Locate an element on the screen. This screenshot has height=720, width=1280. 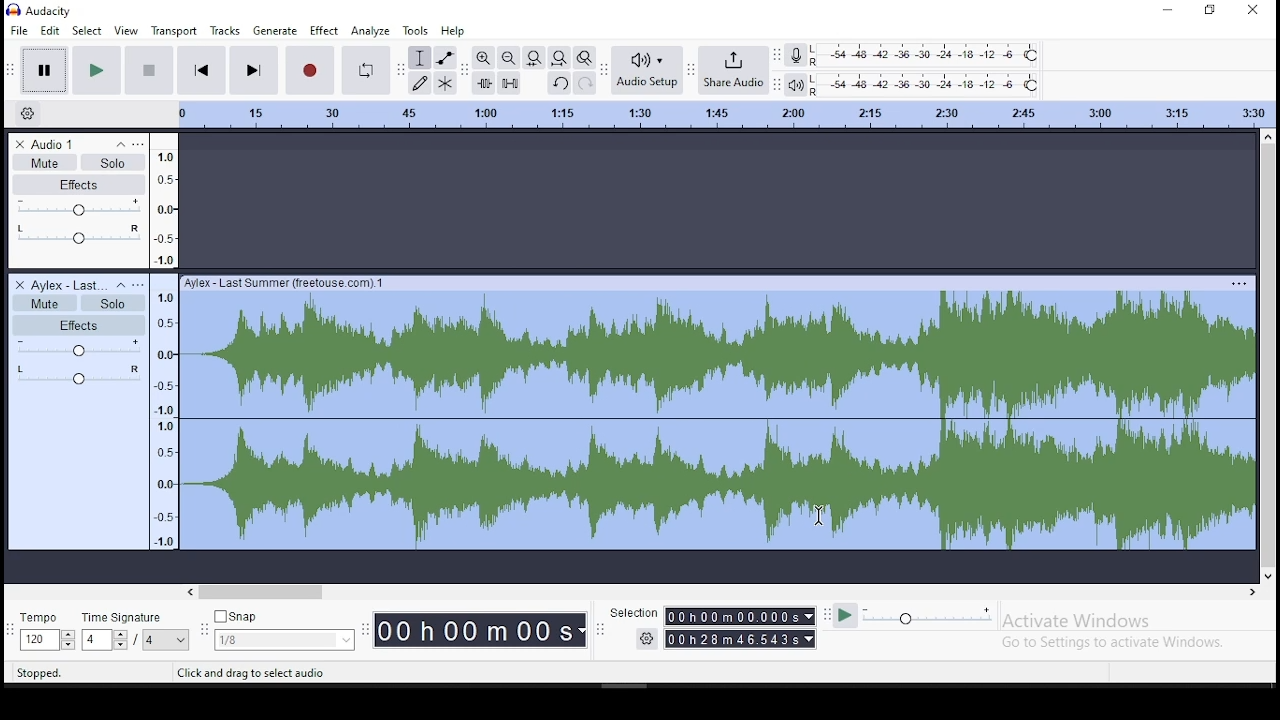
envelope tool is located at coordinates (445, 57).